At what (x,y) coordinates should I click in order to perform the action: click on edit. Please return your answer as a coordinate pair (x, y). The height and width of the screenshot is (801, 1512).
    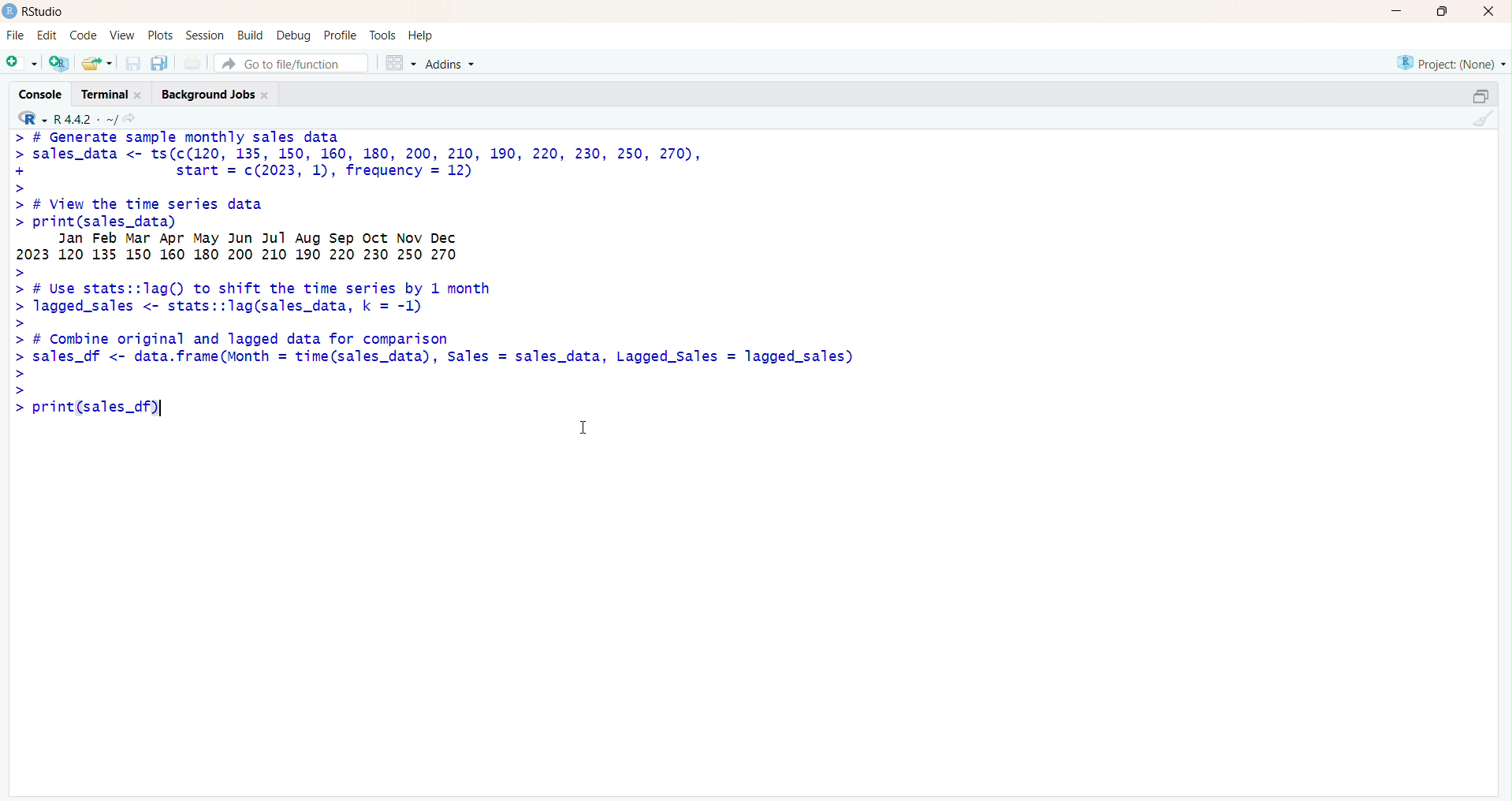
    Looking at the image, I should click on (47, 35).